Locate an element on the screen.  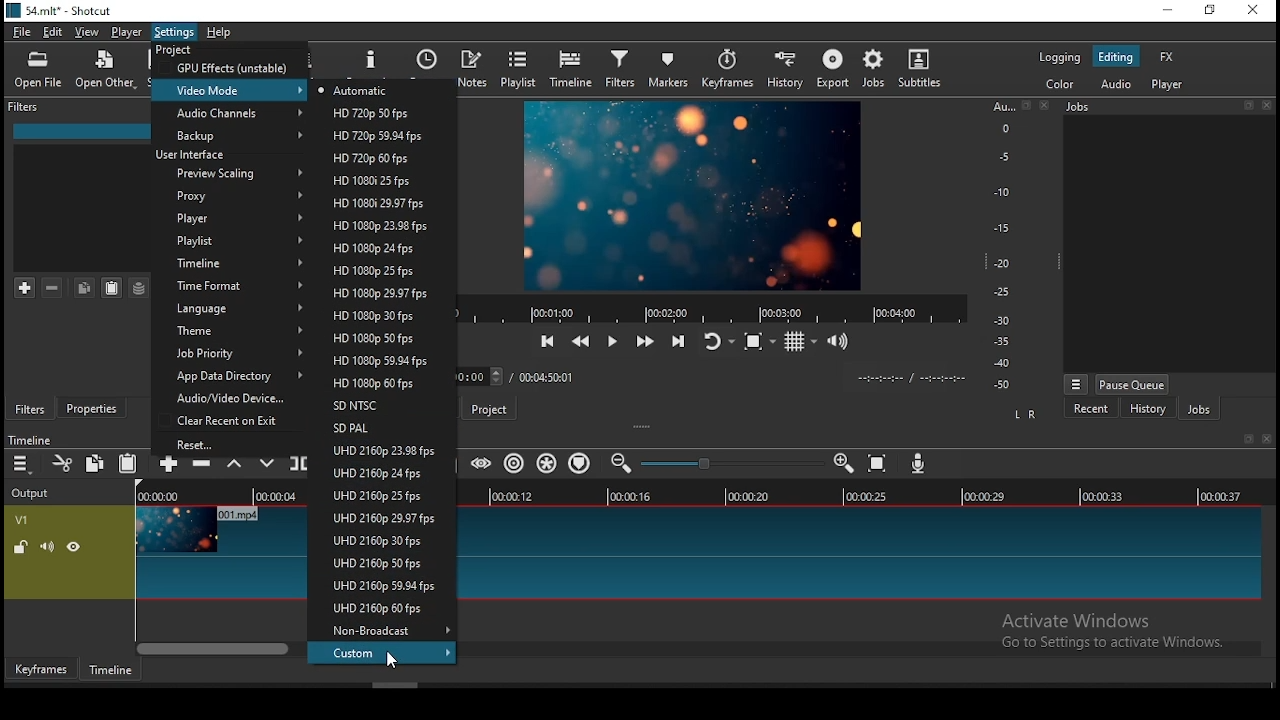
scroll bar is located at coordinates (215, 648).